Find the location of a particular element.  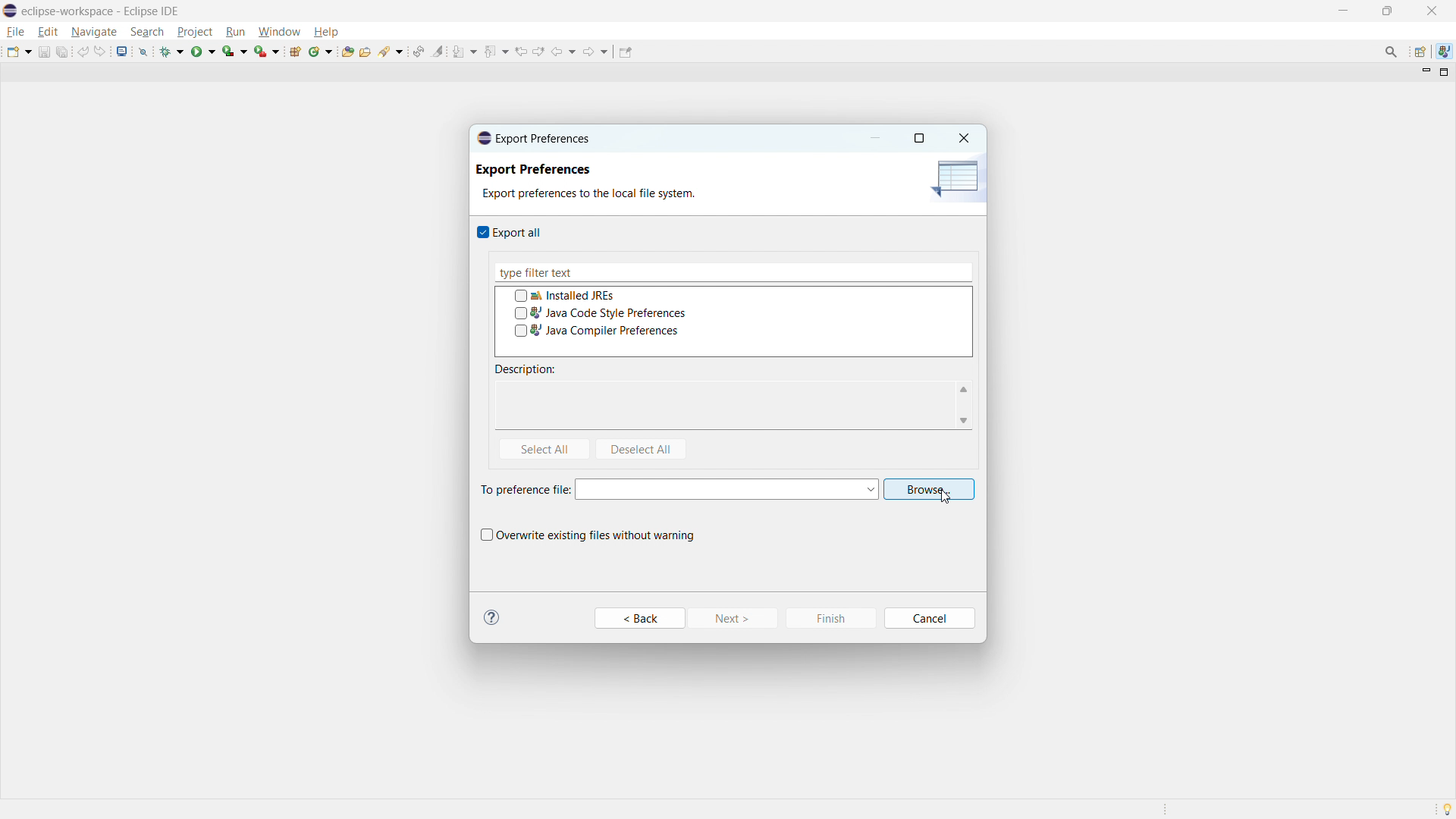

minimize view is located at coordinates (1424, 73).